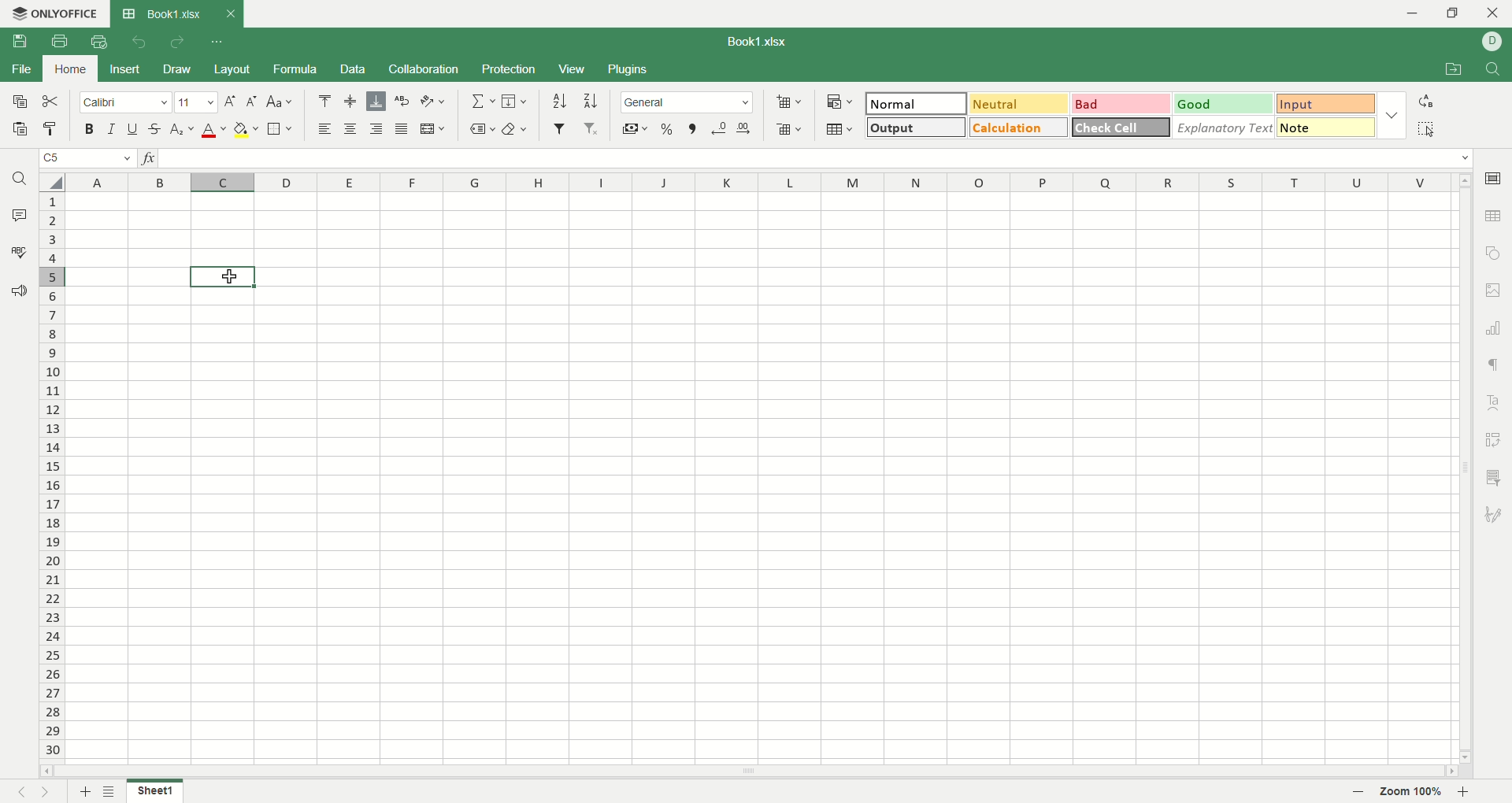 This screenshot has height=803, width=1512. I want to click on replace, so click(1426, 101).